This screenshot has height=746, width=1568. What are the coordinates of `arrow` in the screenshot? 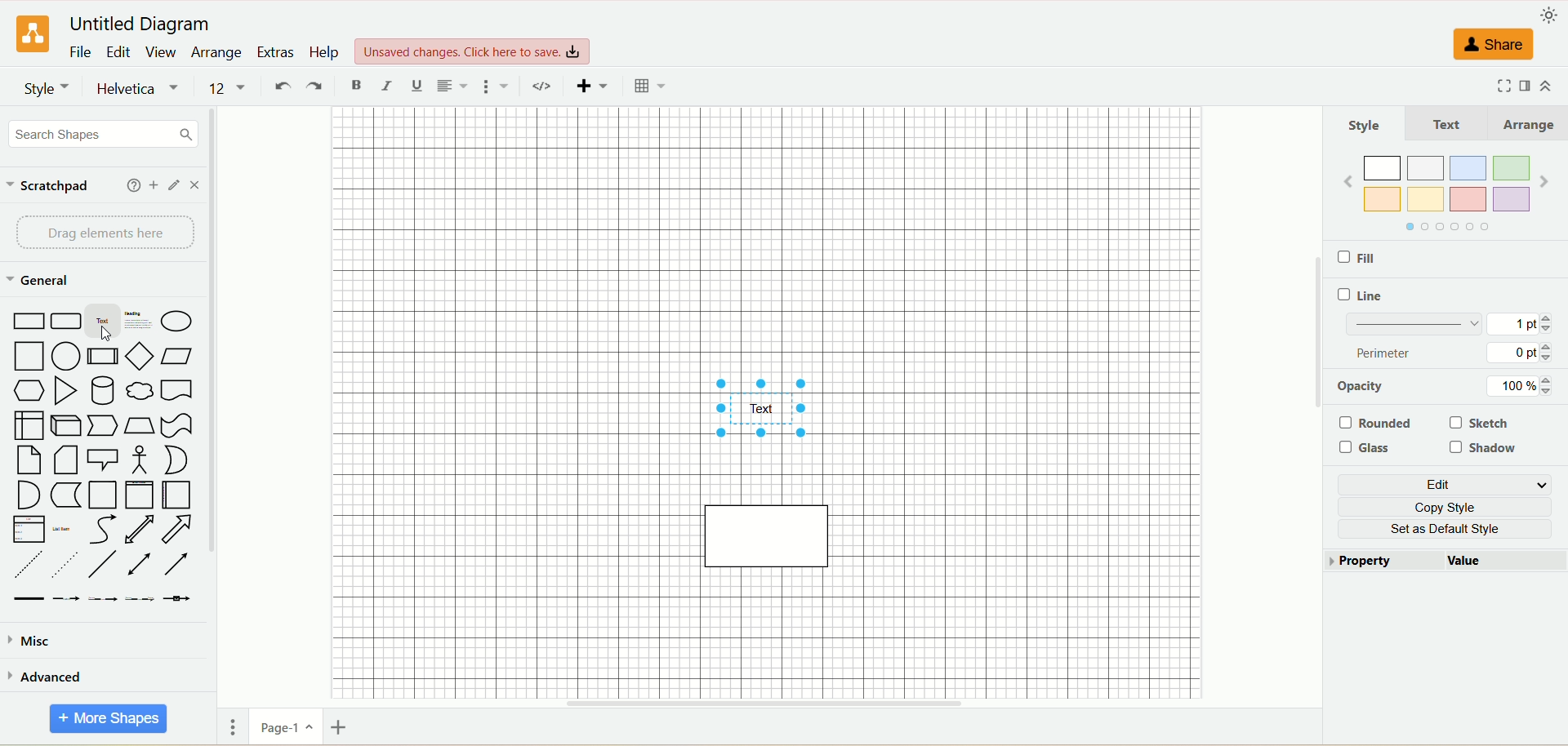 It's located at (178, 530).